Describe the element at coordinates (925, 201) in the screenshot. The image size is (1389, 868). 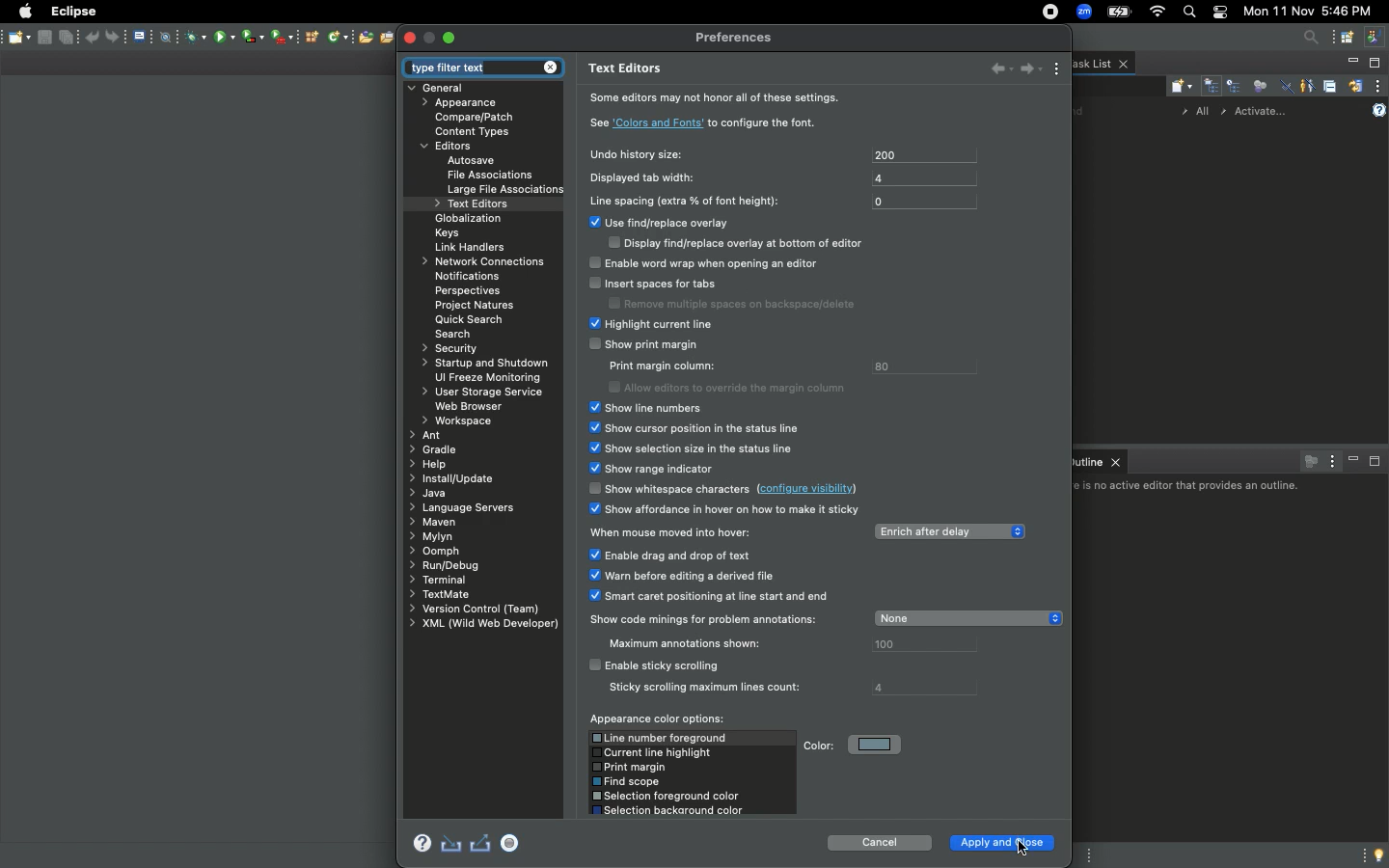
I see `0` at that location.